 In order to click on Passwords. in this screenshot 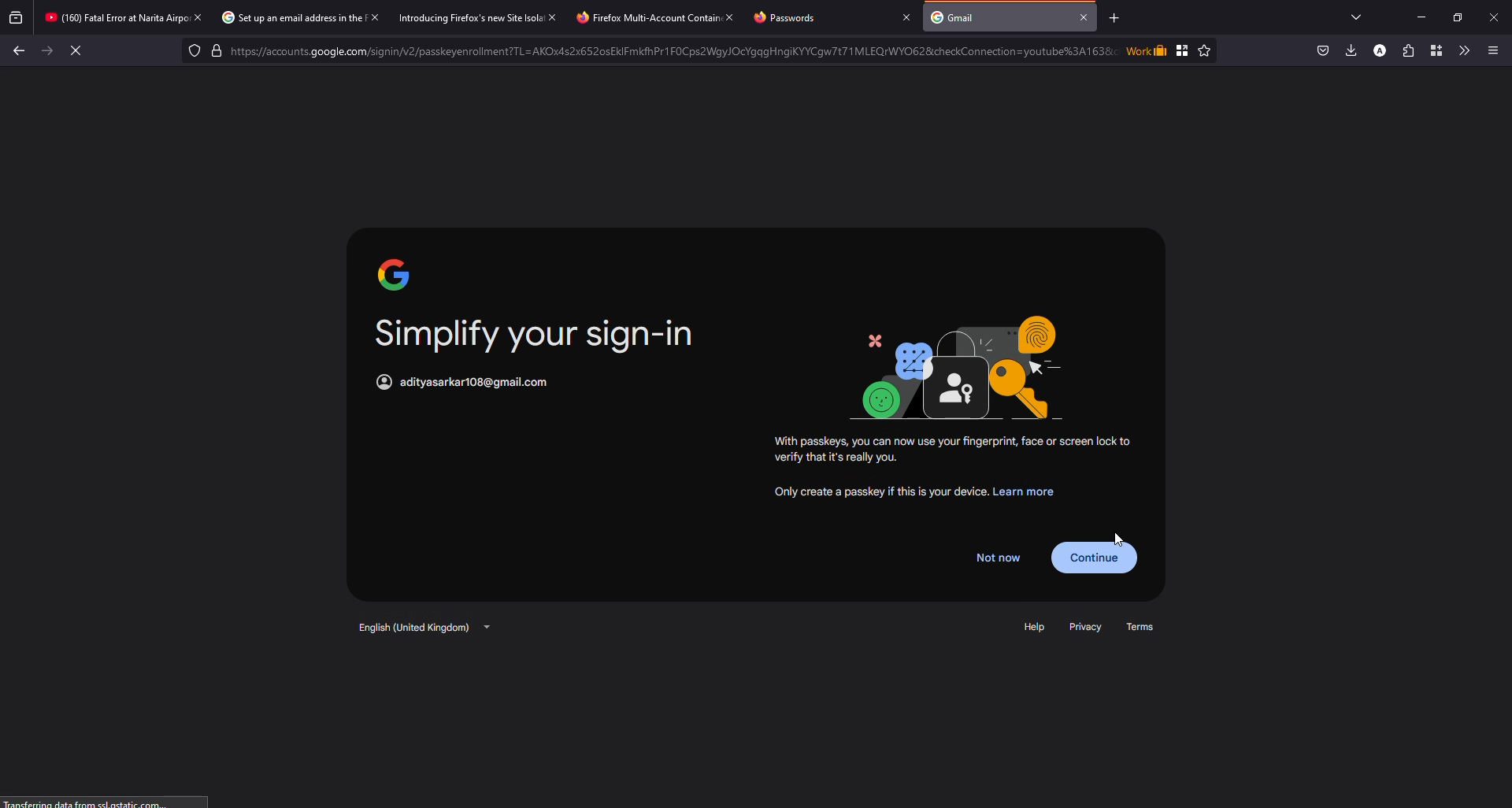, I will do `click(789, 18)`.